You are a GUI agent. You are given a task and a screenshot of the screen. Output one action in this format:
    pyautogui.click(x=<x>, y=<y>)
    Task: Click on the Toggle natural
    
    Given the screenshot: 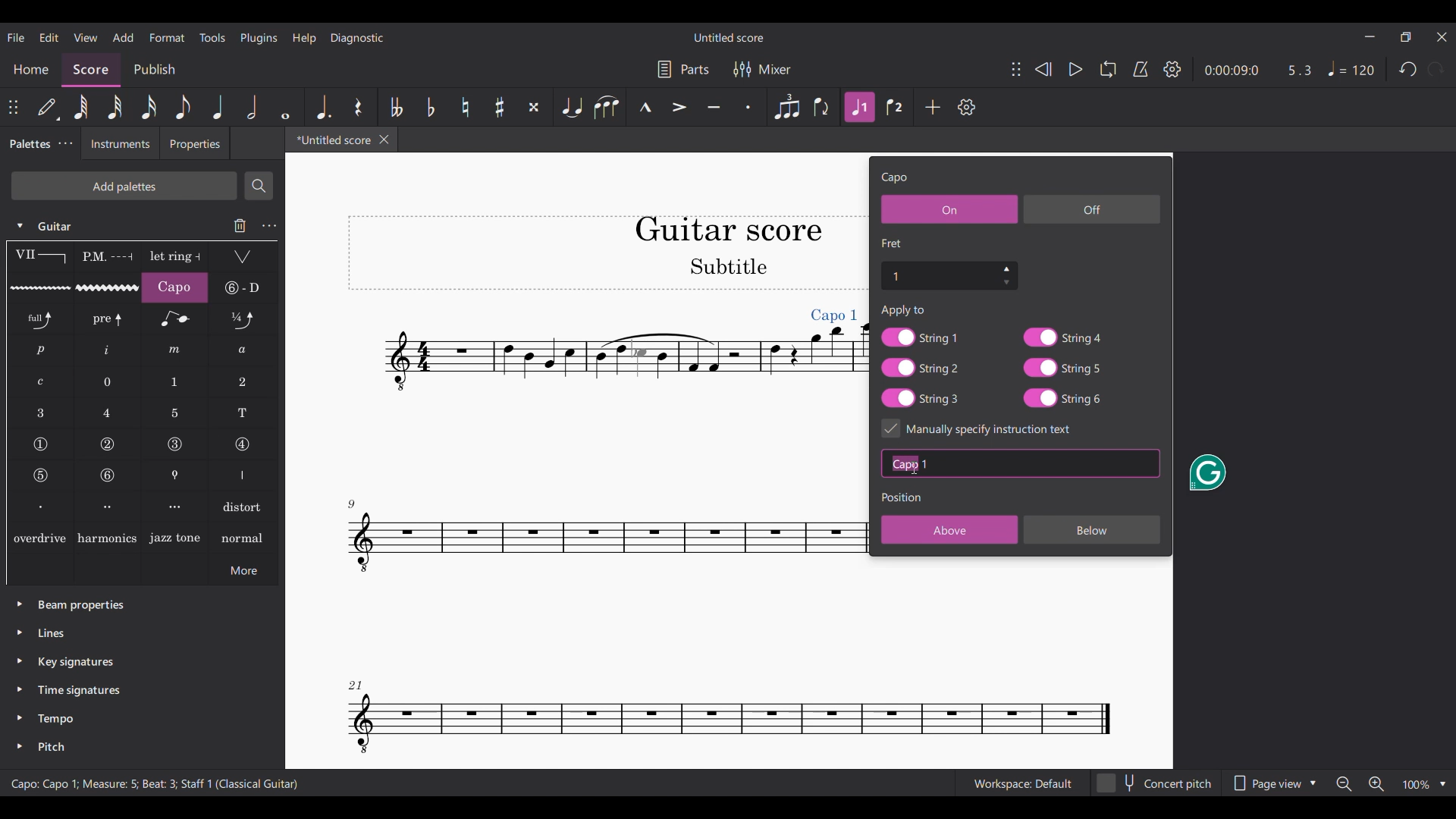 What is the action you would take?
    pyautogui.click(x=465, y=107)
    